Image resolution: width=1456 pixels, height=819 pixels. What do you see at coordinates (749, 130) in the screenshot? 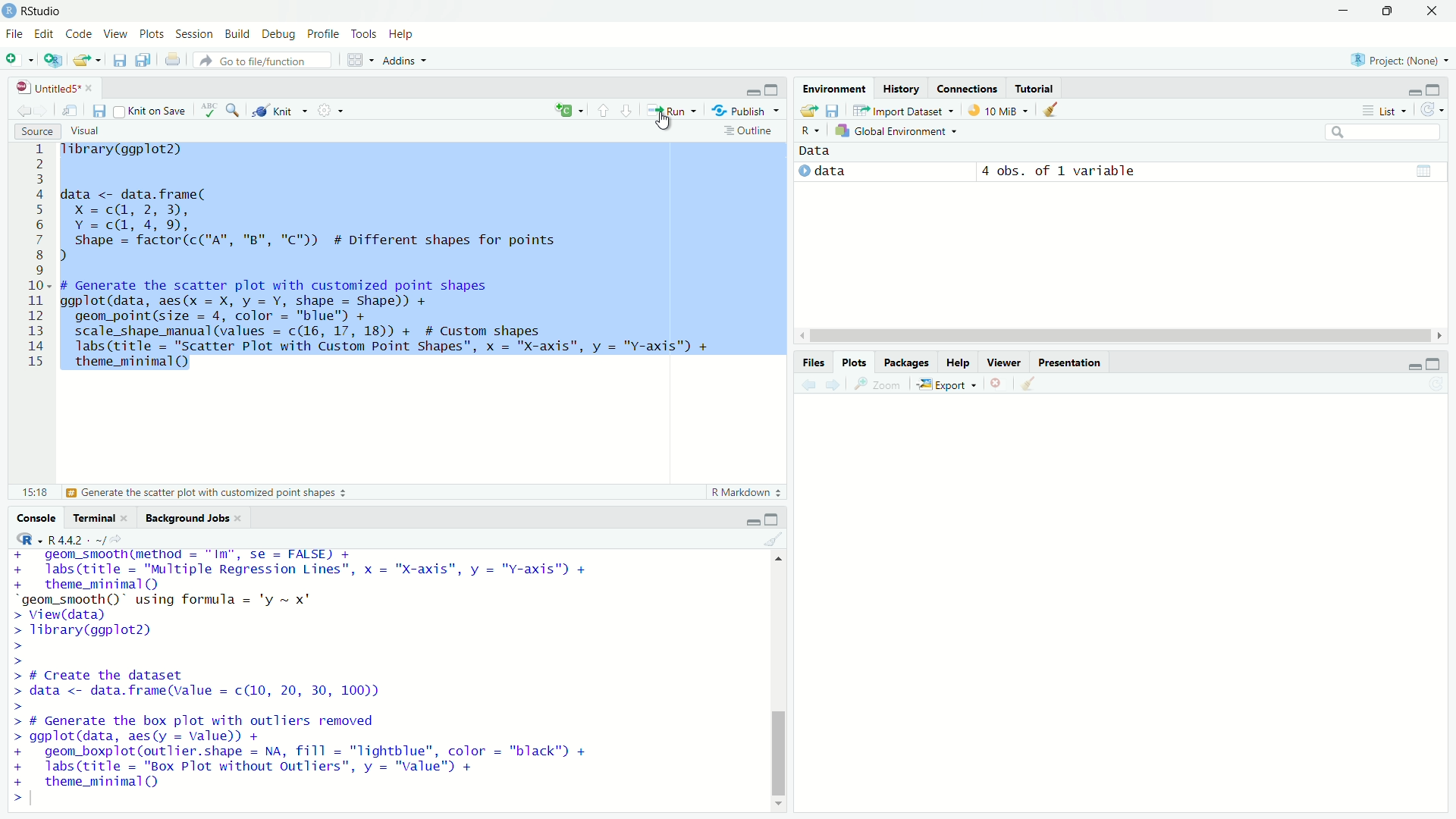
I see `Outline` at bounding box center [749, 130].